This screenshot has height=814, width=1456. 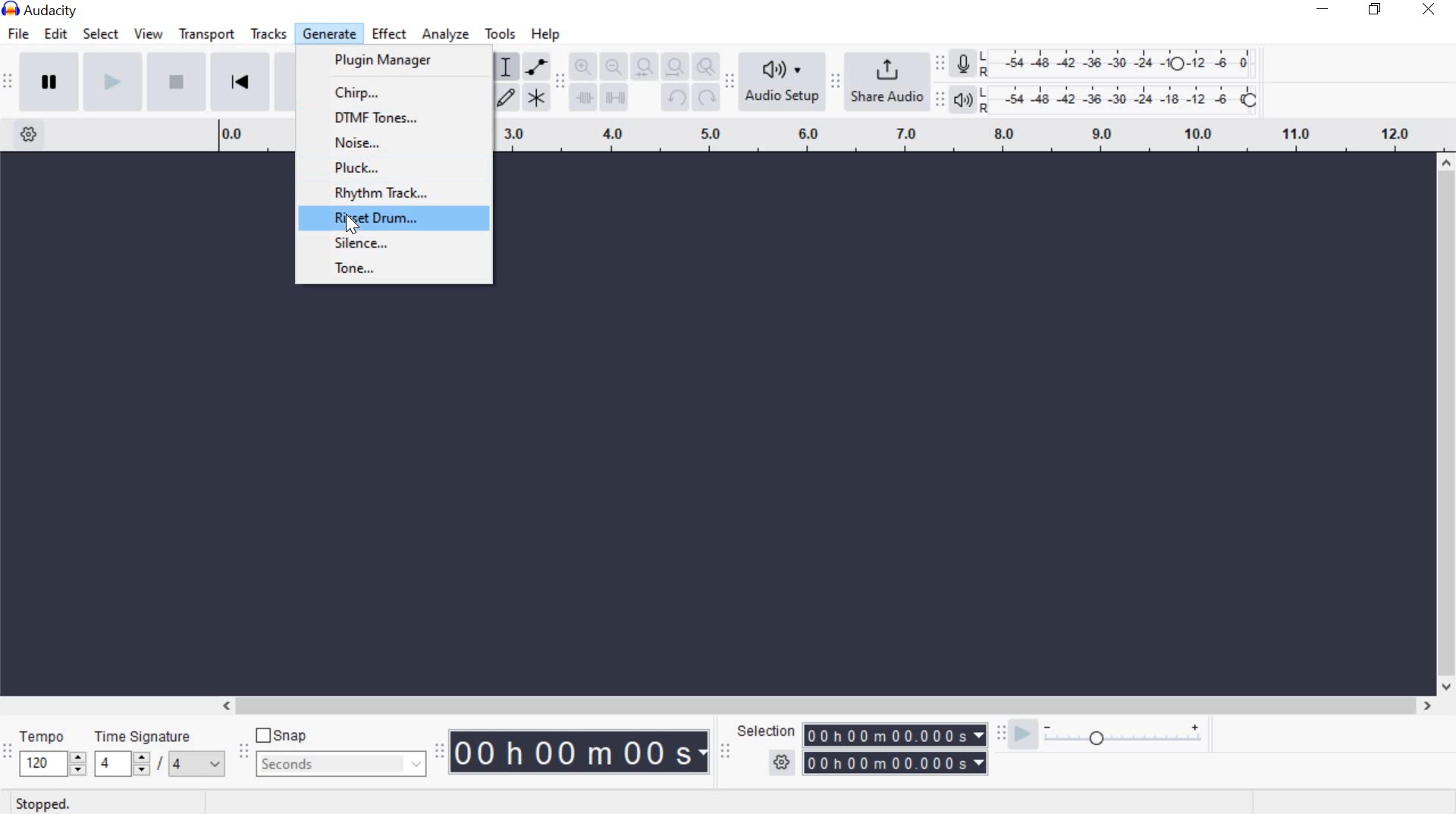 What do you see at coordinates (399, 144) in the screenshot?
I see `noise` at bounding box center [399, 144].